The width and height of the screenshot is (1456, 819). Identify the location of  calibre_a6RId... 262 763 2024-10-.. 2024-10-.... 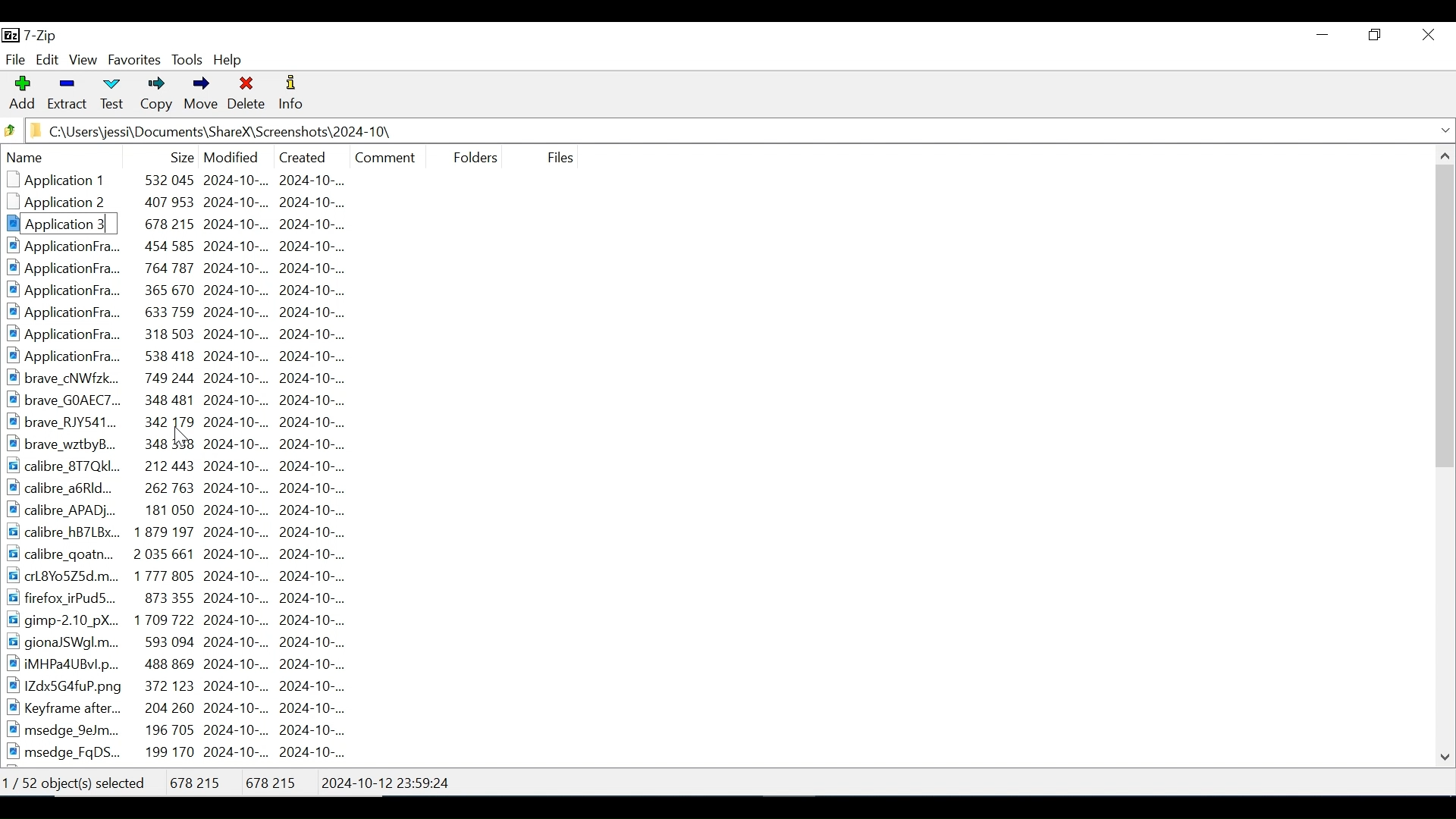
(191, 488).